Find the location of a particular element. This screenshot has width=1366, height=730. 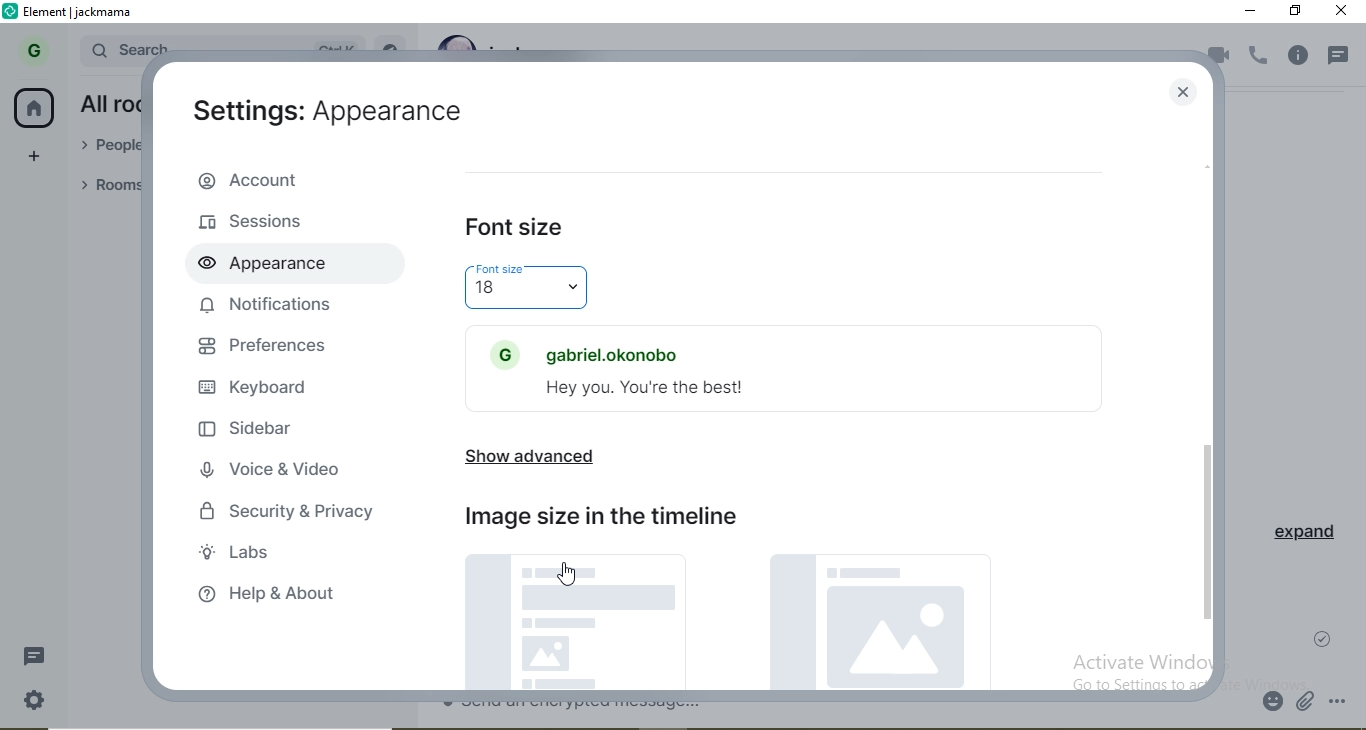

check mark is located at coordinates (1327, 637).